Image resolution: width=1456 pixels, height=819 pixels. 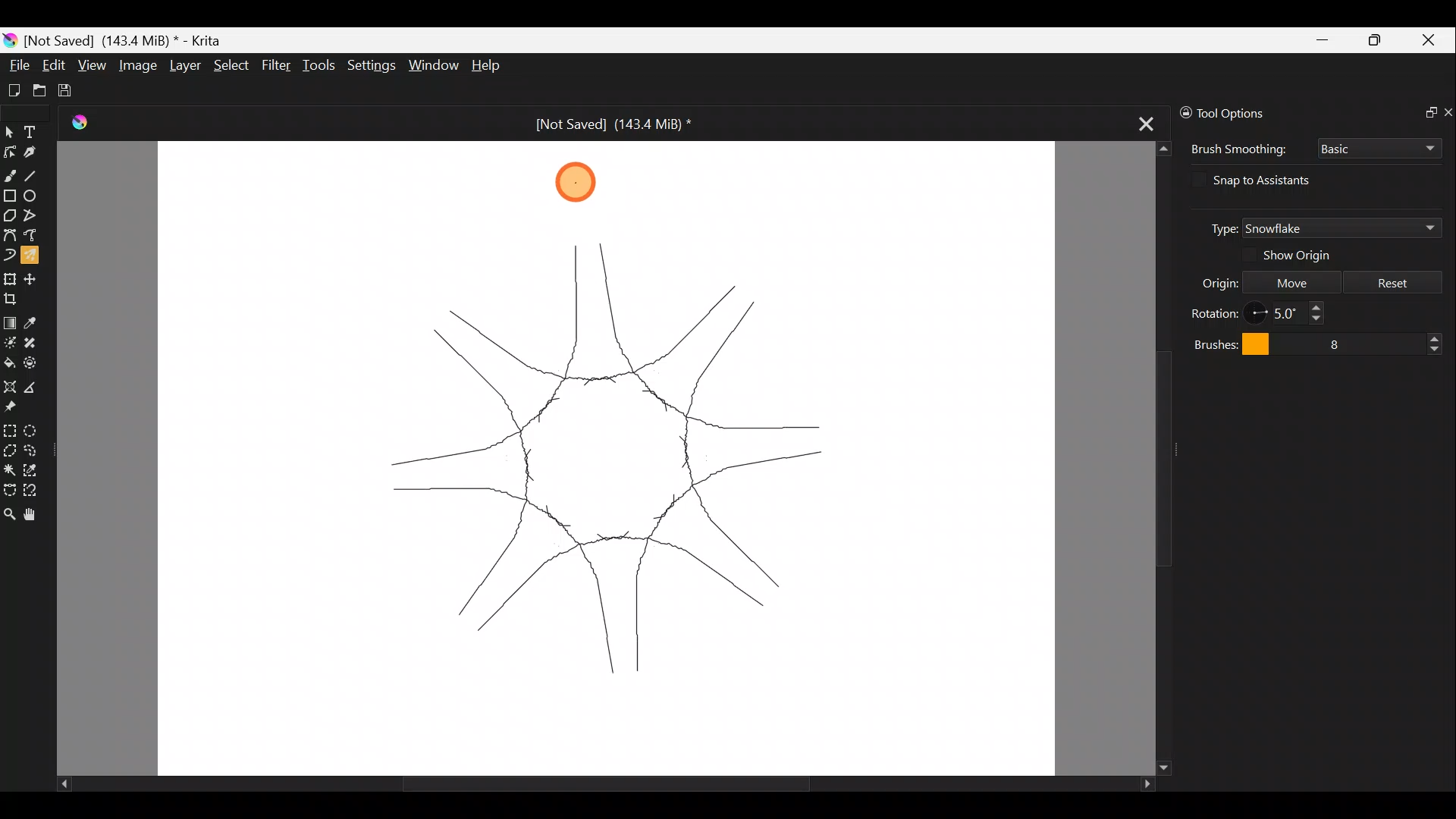 What do you see at coordinates (14, 90) in the screenshot?
I see `Create new document` at bounding box center [14, 90].